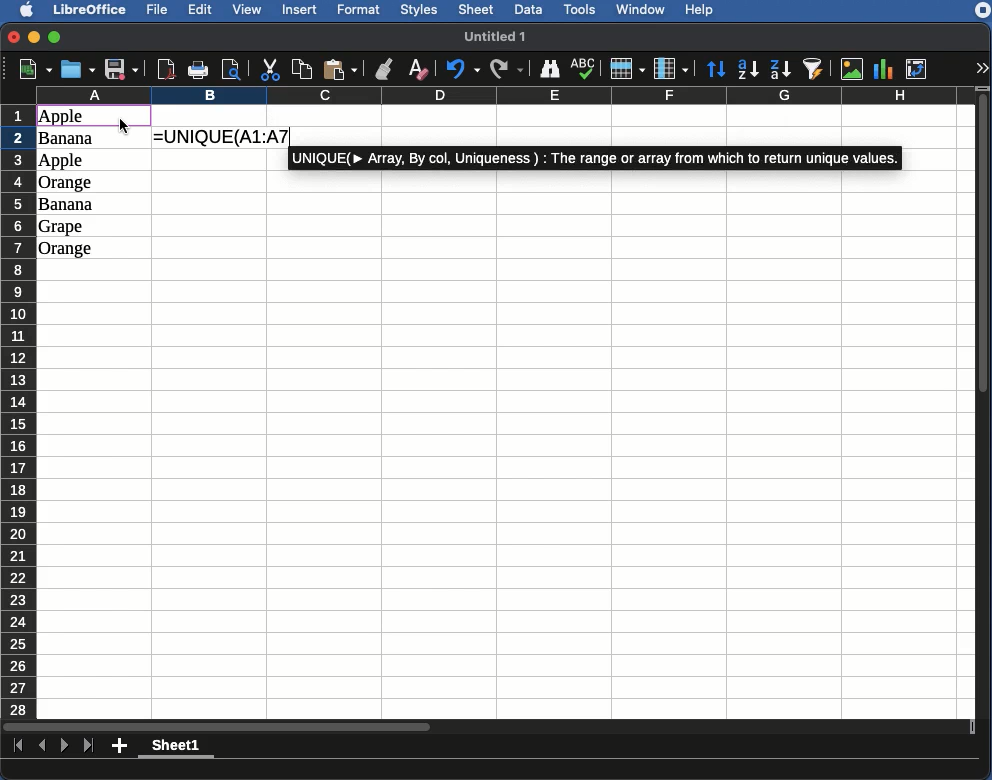 This screenshot has width=992, height=780. What do you see at coordinates (120, 748) in the screenshot?
I see `Add sheet` at bounding box center [120, 748].